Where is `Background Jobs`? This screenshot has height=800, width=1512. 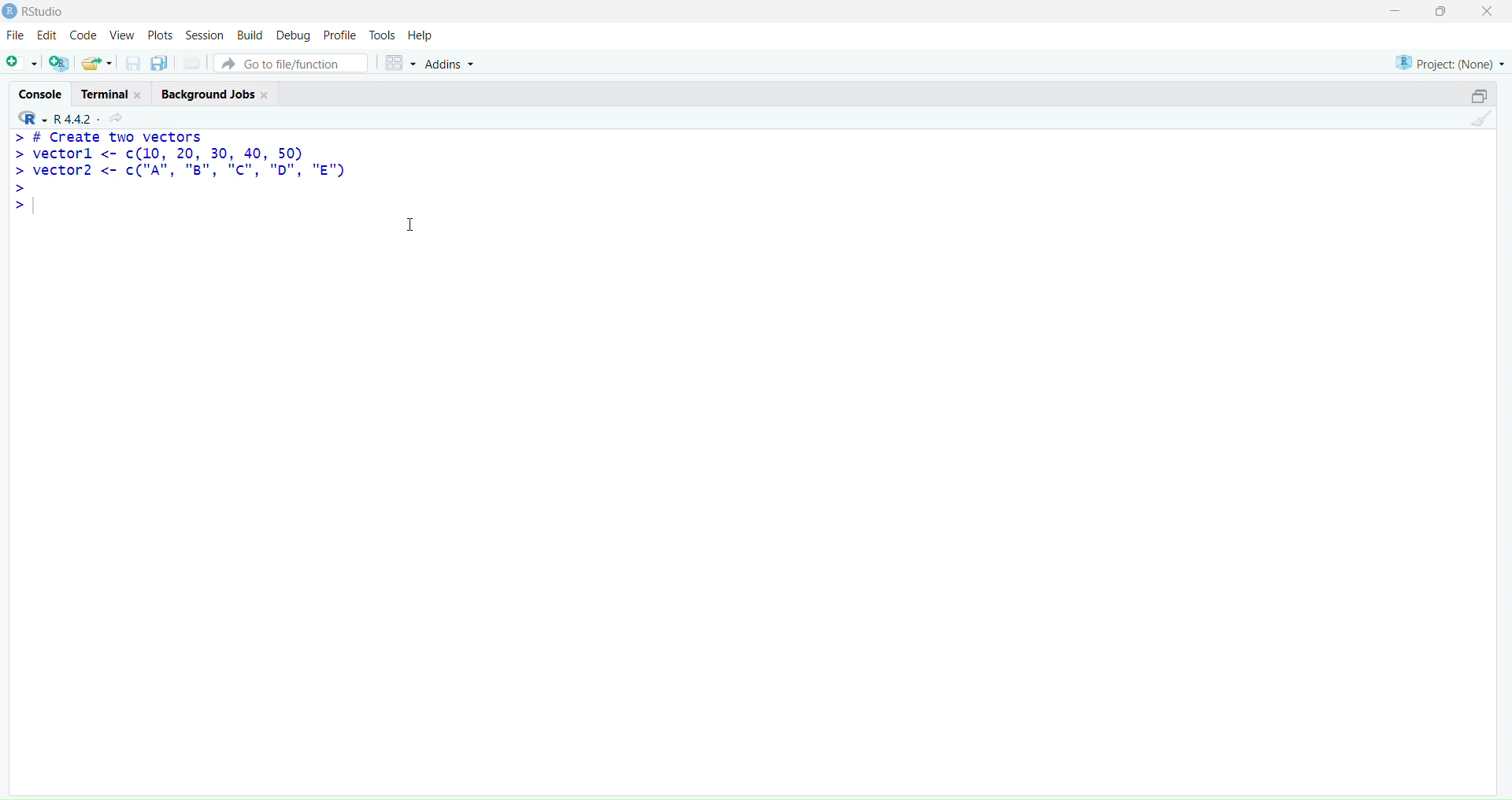 Background Jobs is located at coordinates (214, 94).